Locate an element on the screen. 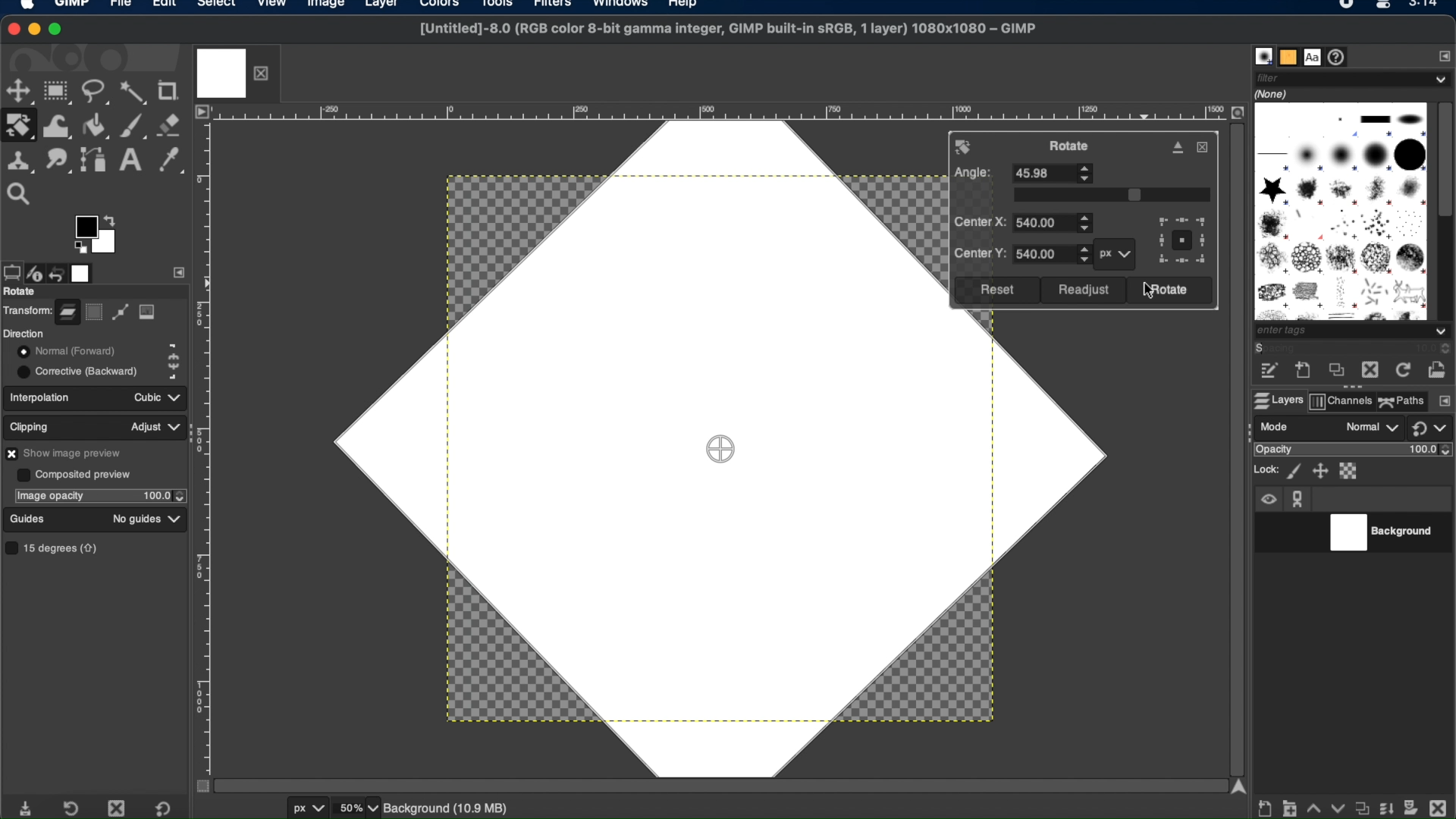  apple logo is located at coordinates (26, 8).